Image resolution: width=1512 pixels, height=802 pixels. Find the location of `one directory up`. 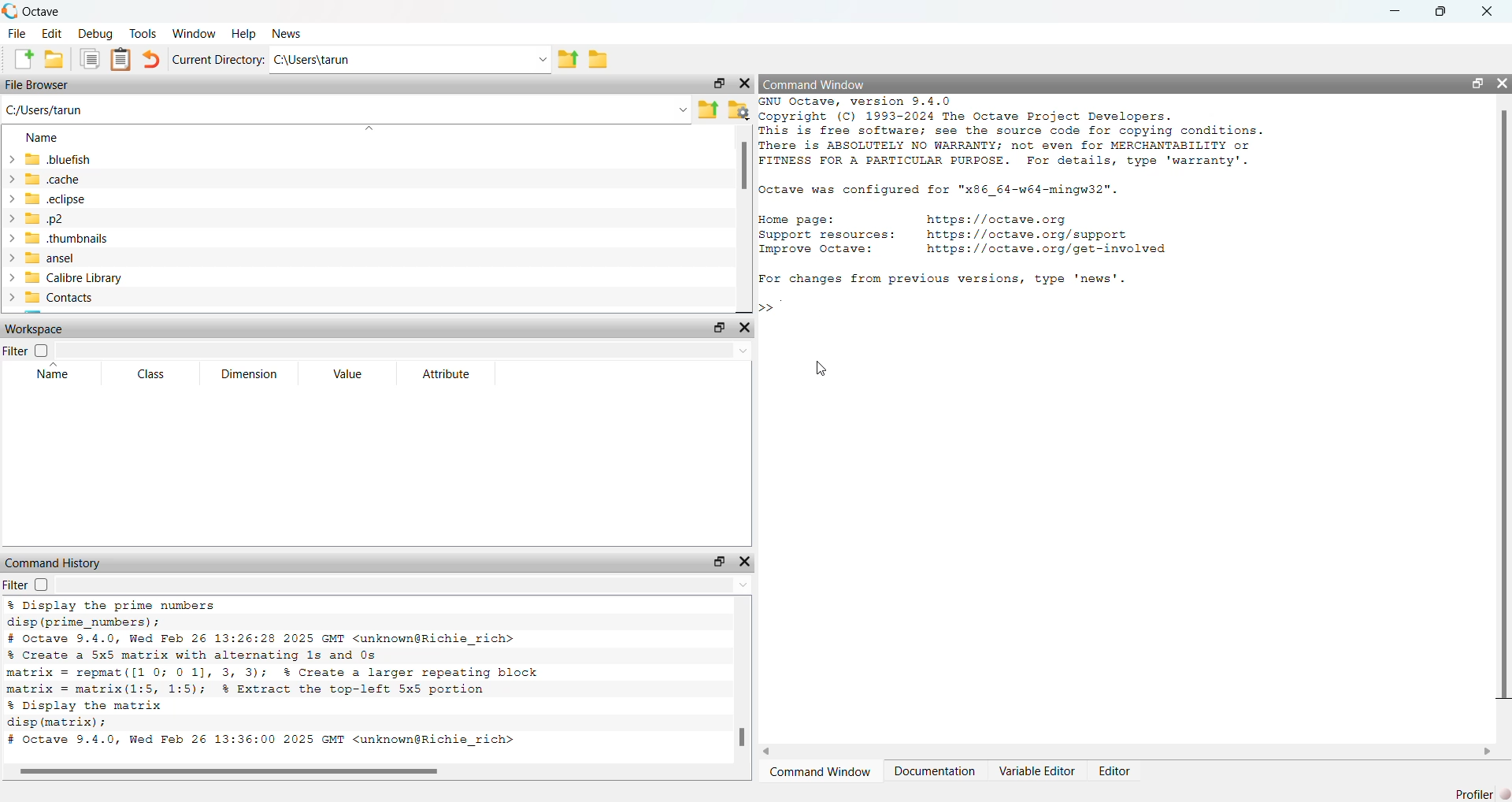

one directory up is located at coordinates (573, 60).